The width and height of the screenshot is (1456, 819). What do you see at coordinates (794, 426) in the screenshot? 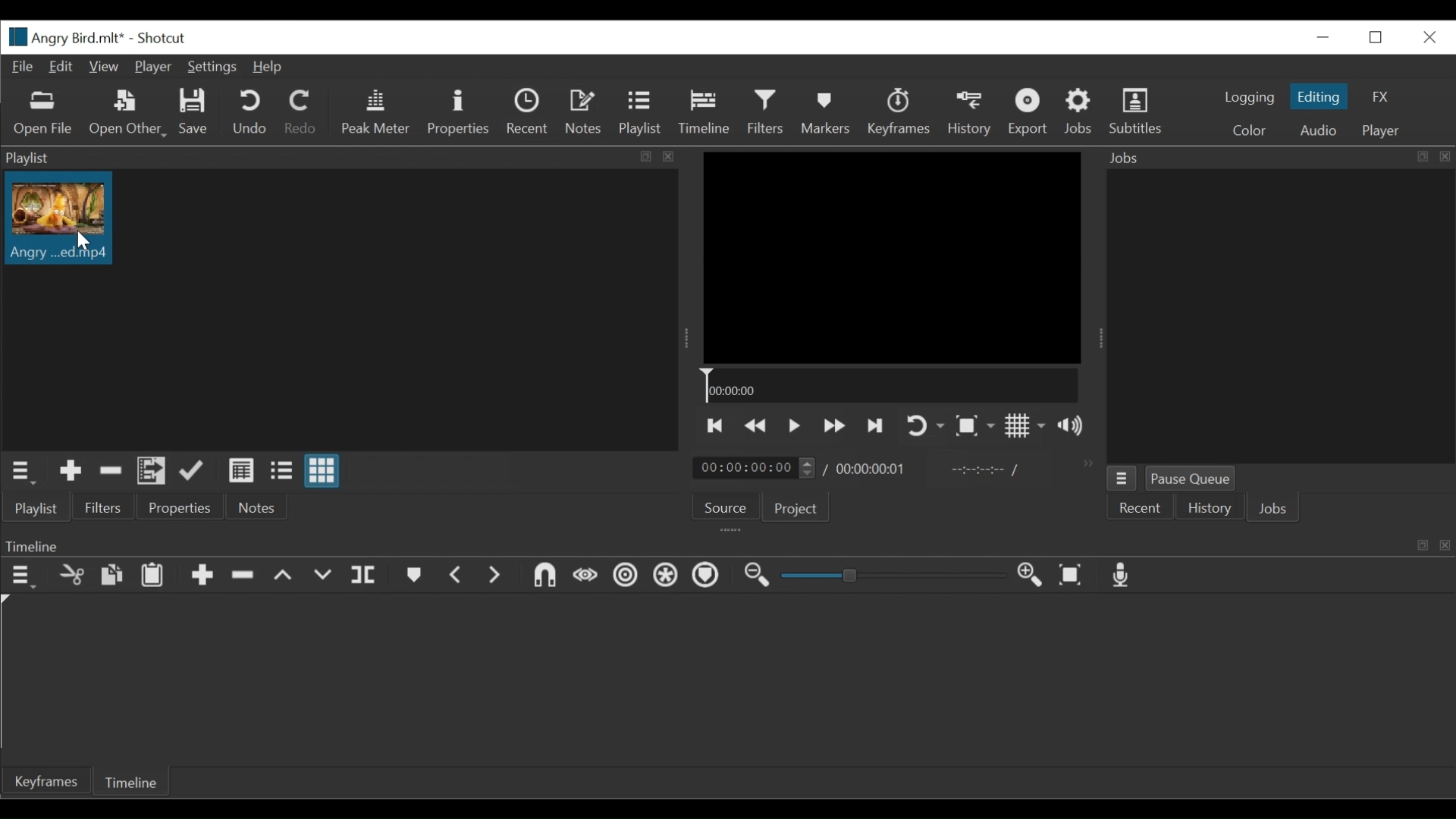
I see `Toggle play or pause (space)` at bounding box center [794, 426].